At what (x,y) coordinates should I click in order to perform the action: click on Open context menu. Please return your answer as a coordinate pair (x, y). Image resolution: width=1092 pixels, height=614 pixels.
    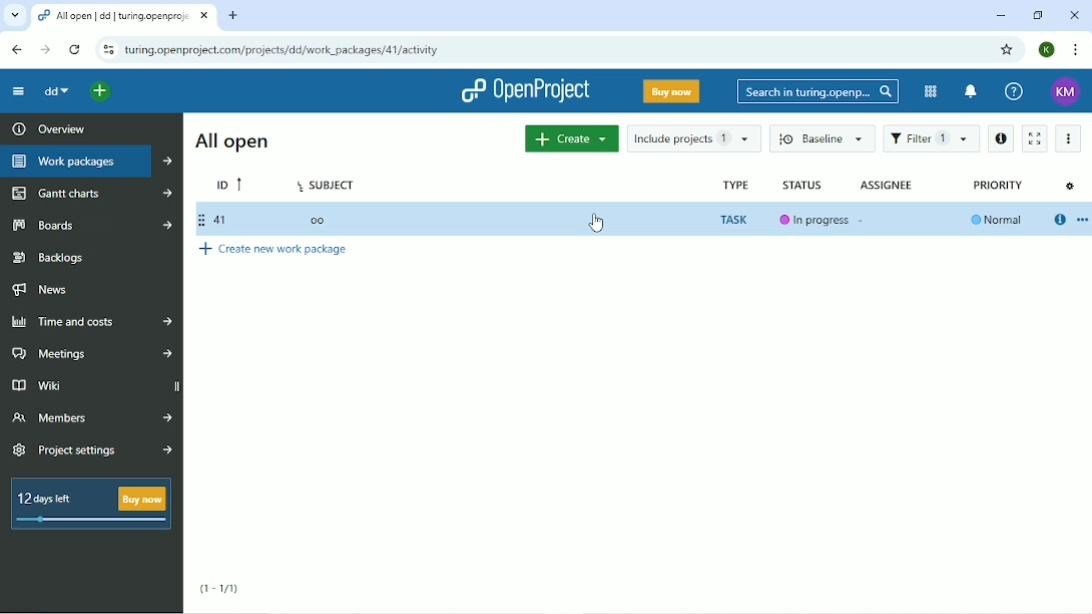
    Looking at the image, I should click on (1082, 220).